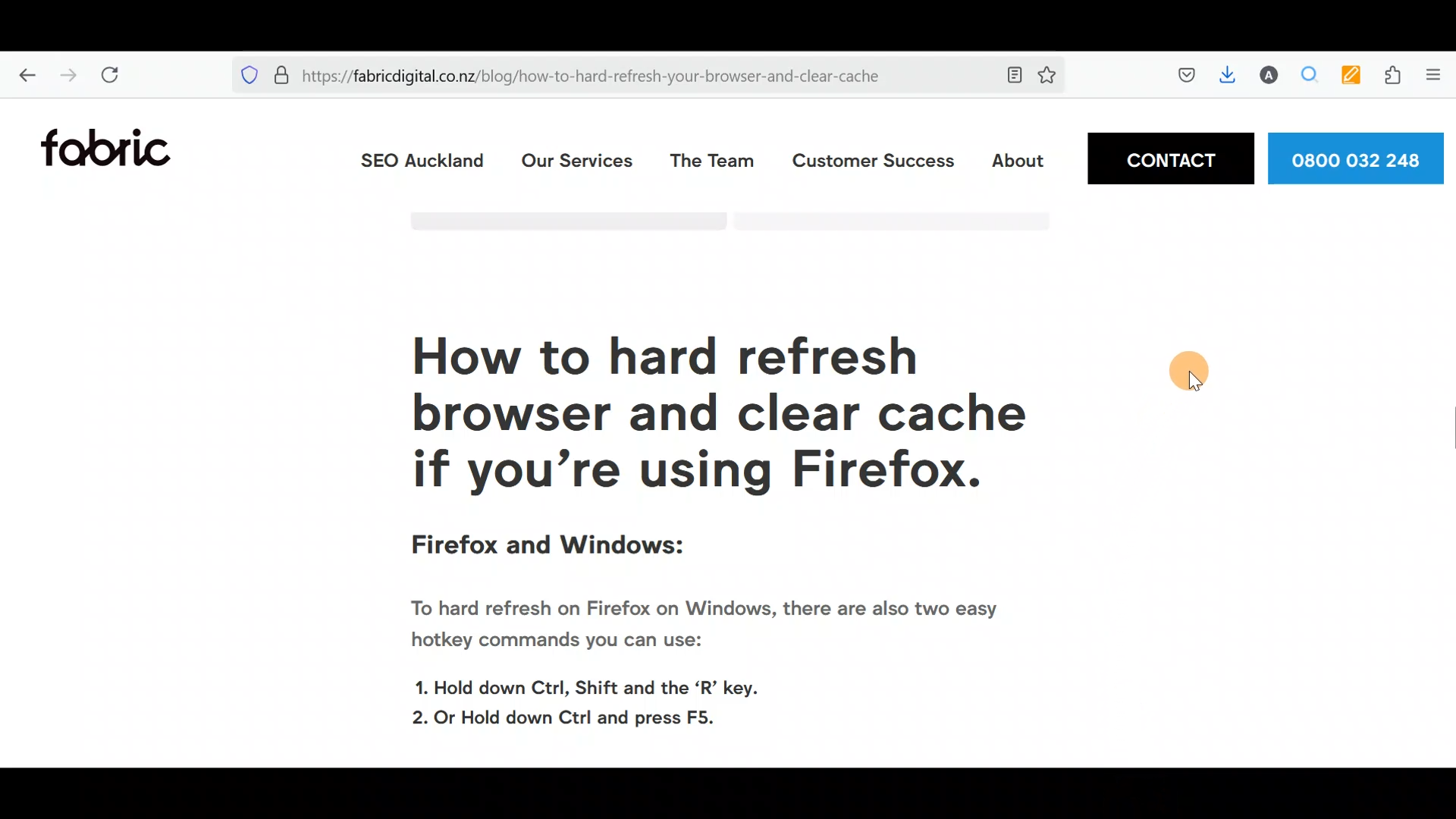  I want to click on https://fabricdigital.co.nz/blog/how-to-hard-refresh-your-browser-and-clear-cache, so click(601, 76).